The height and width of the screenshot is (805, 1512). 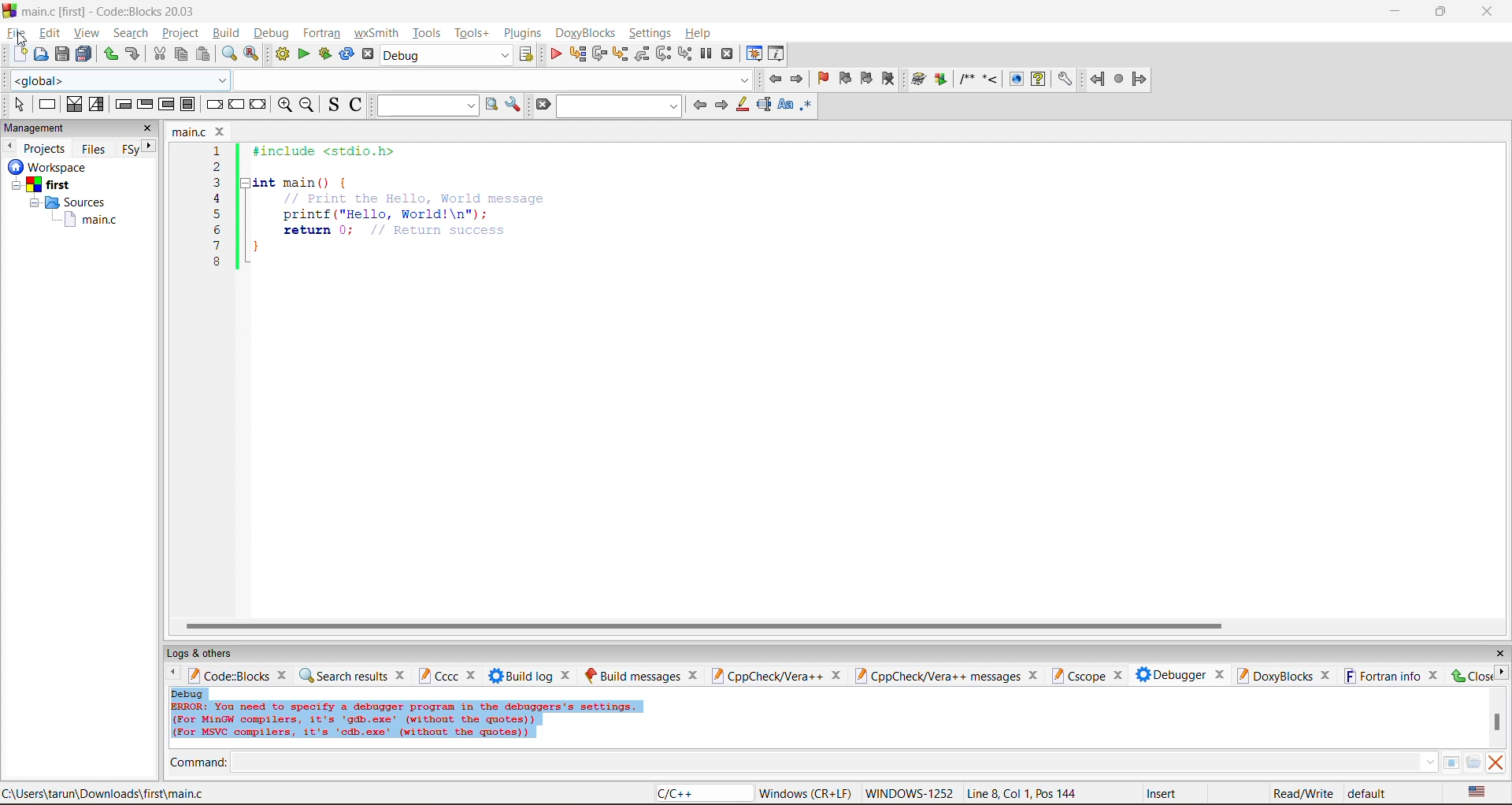 What do you see at coordinates (304, 54) in the screenshot?
I see `run` at bounding box center [304, 54].